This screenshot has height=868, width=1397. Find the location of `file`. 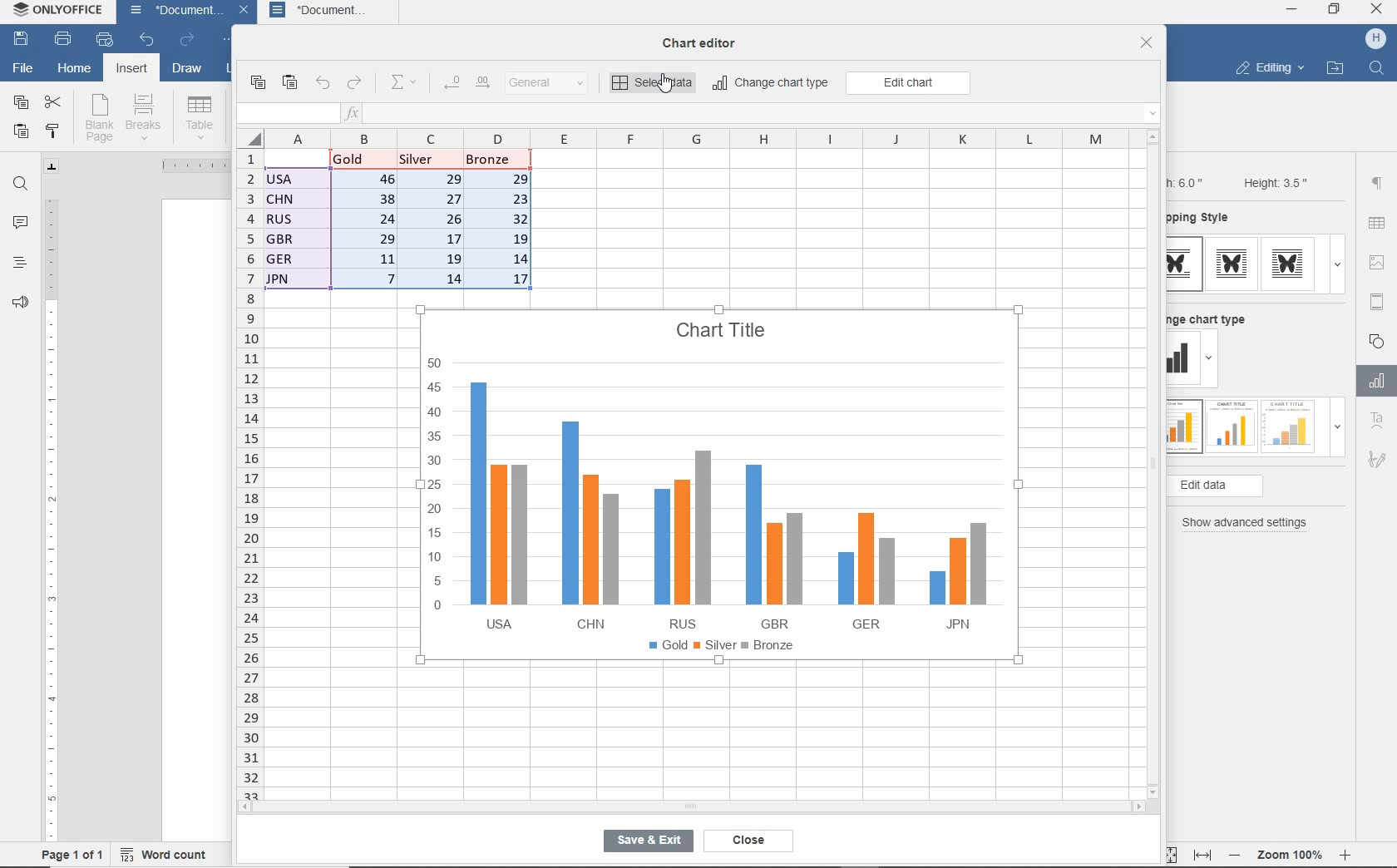

file is located at coordinates (22, 67).